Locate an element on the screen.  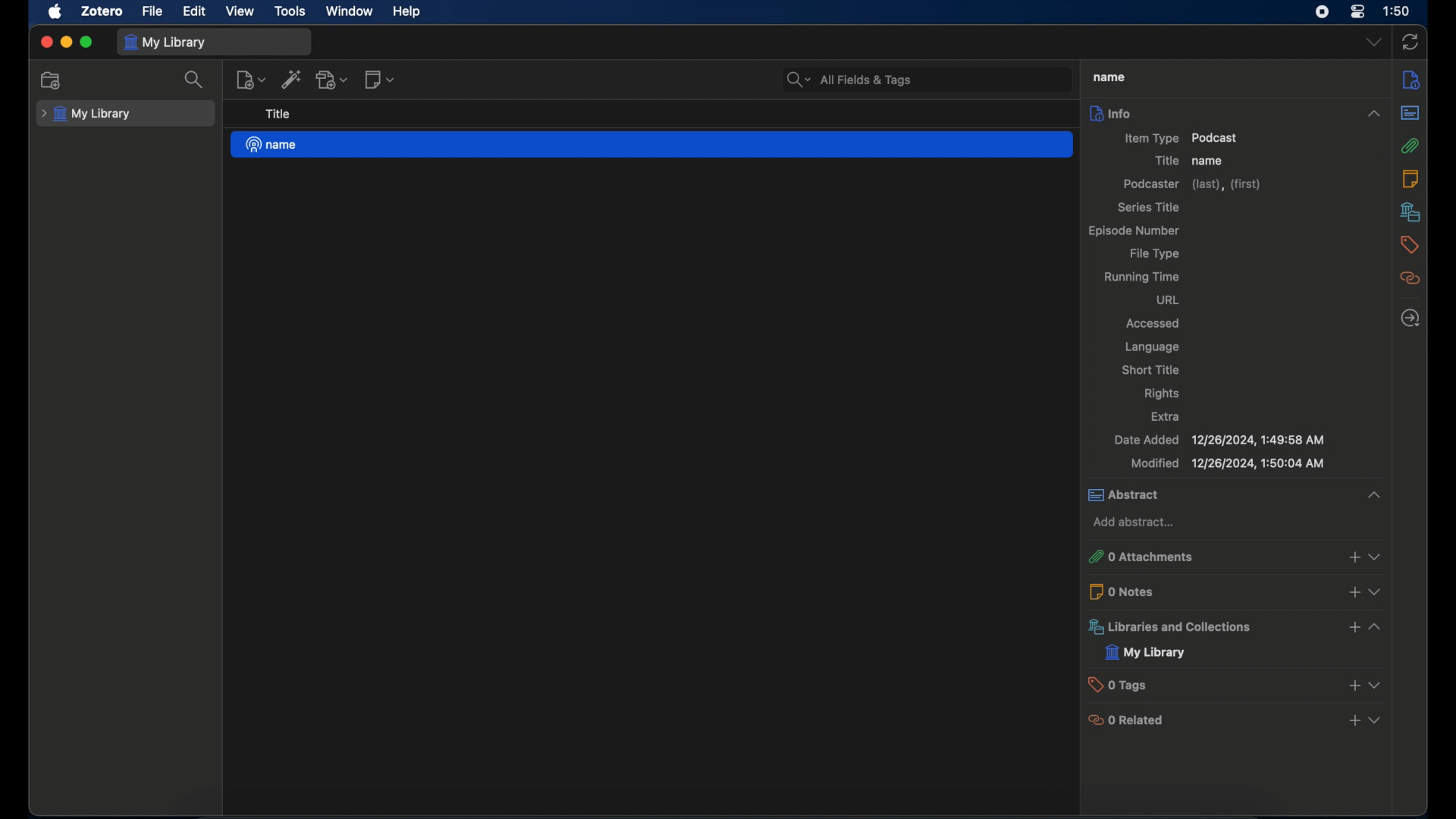
language is located at coordinates (1154, 347).